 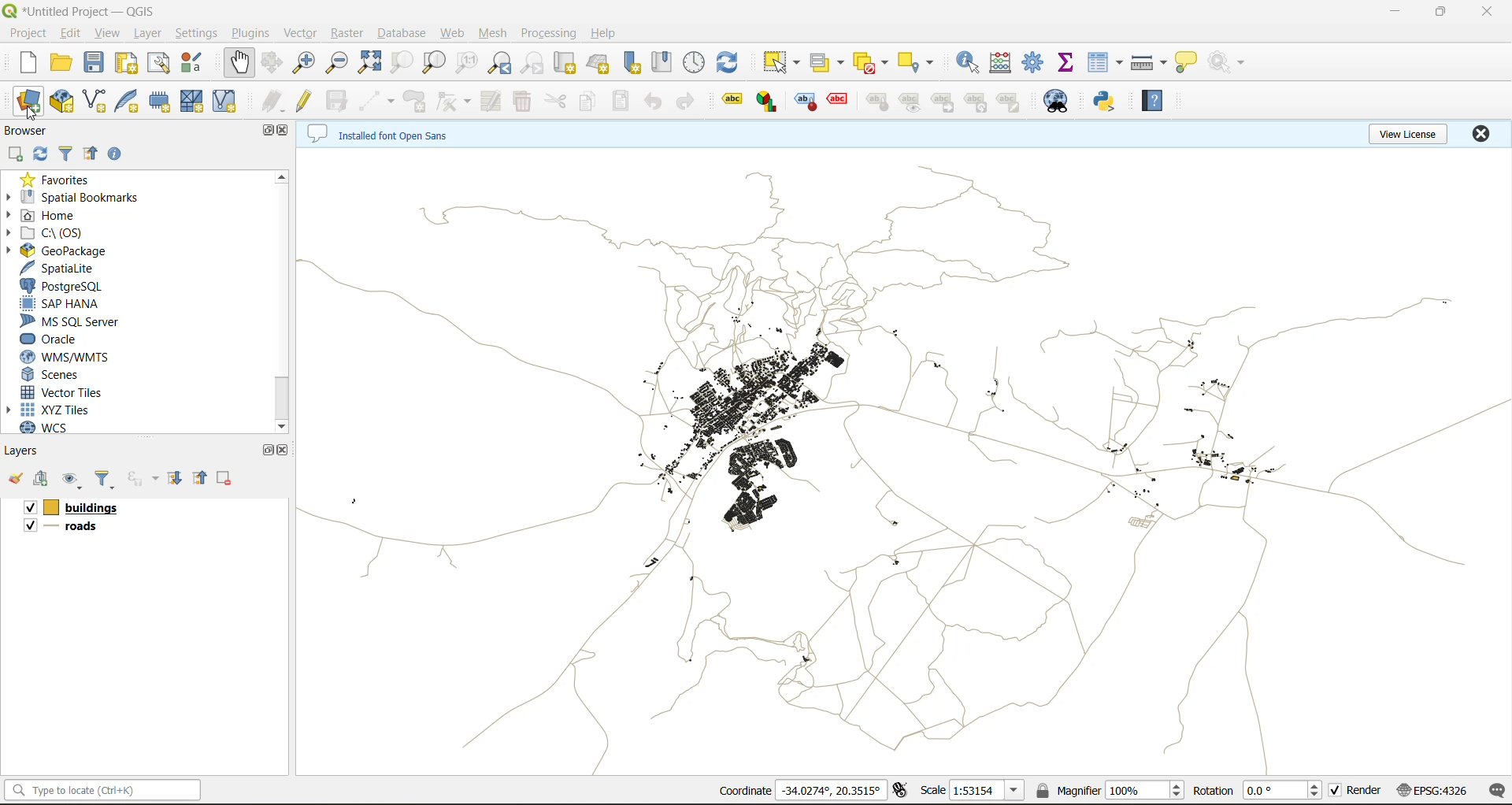 I want to click on coordinates, so click(x=831, y=790).